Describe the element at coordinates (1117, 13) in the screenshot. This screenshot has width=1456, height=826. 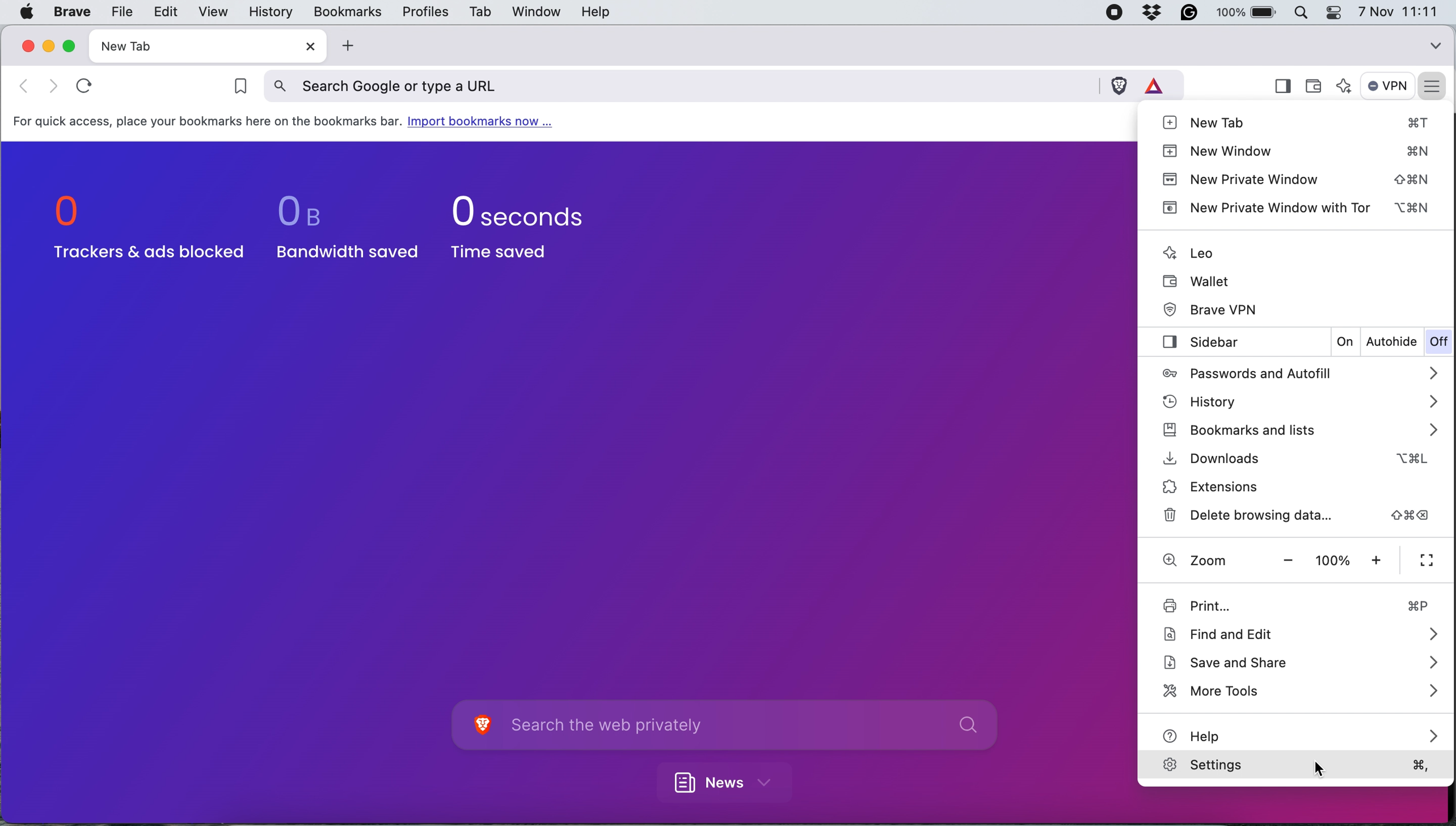
I see `screen recorder` at that location.